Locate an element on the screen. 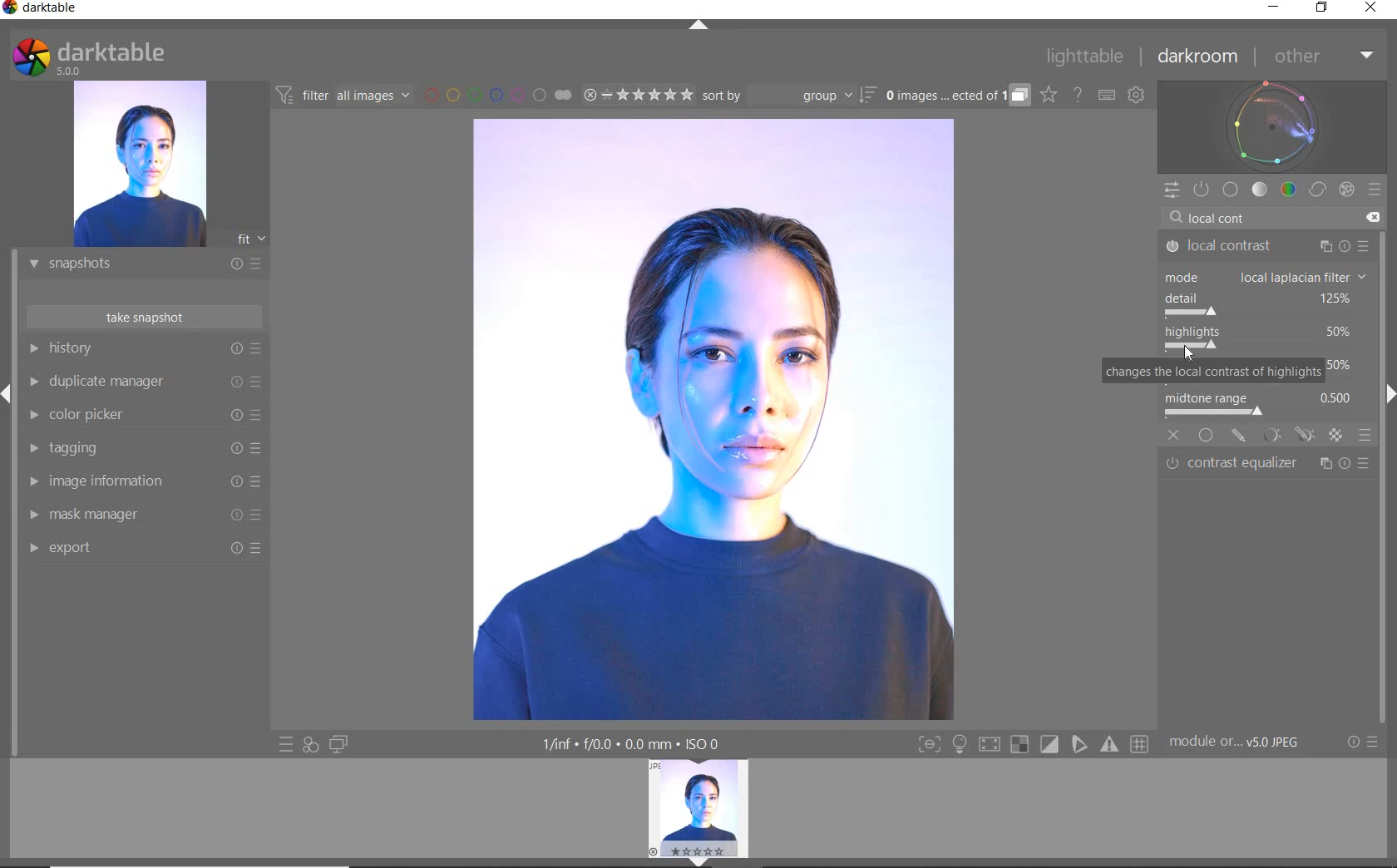 The height and width of the screenshot is (868, 1397). contrast equalizer is located at coordinates (1269, 464).